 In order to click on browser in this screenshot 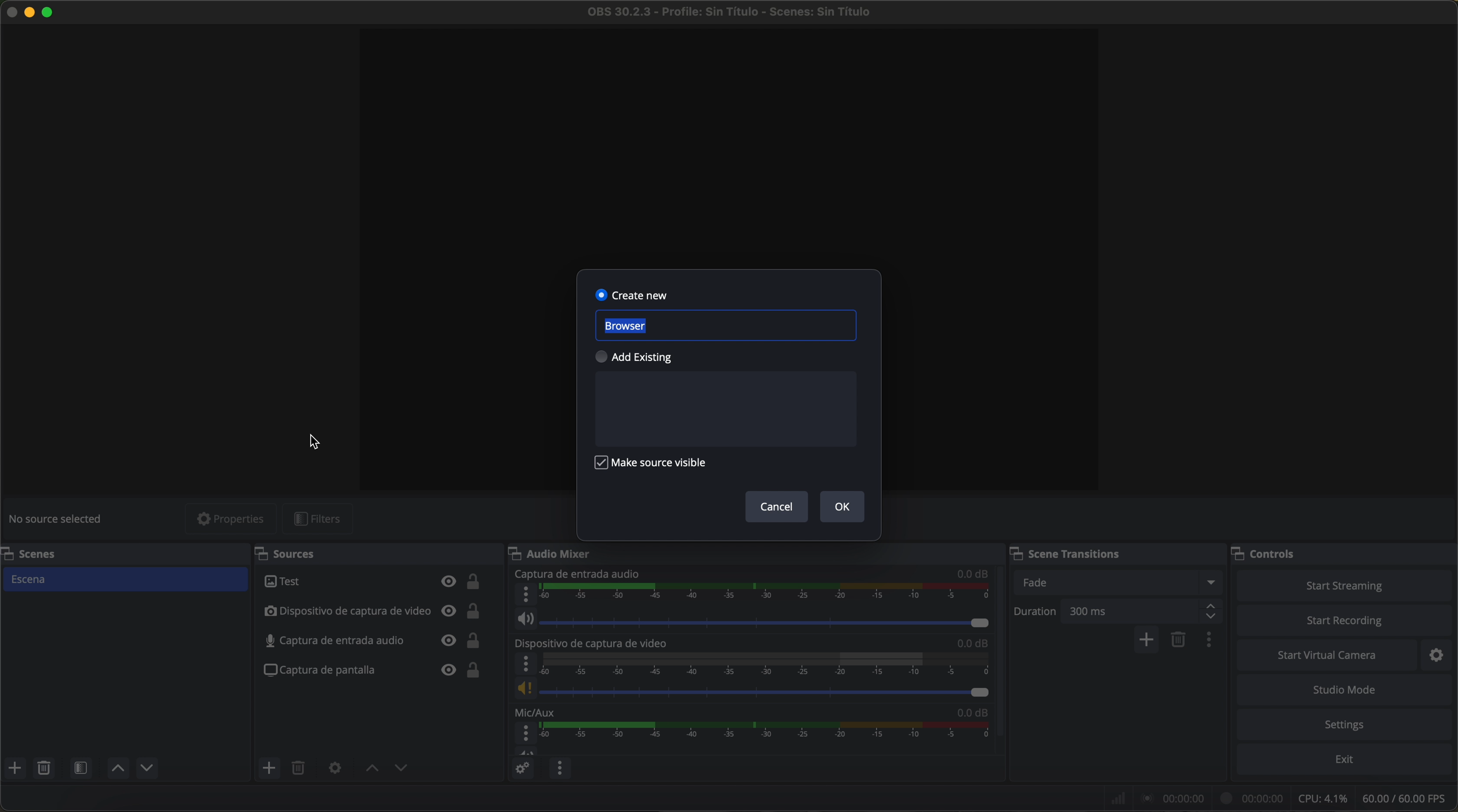, I will do `click(724, 325)`.